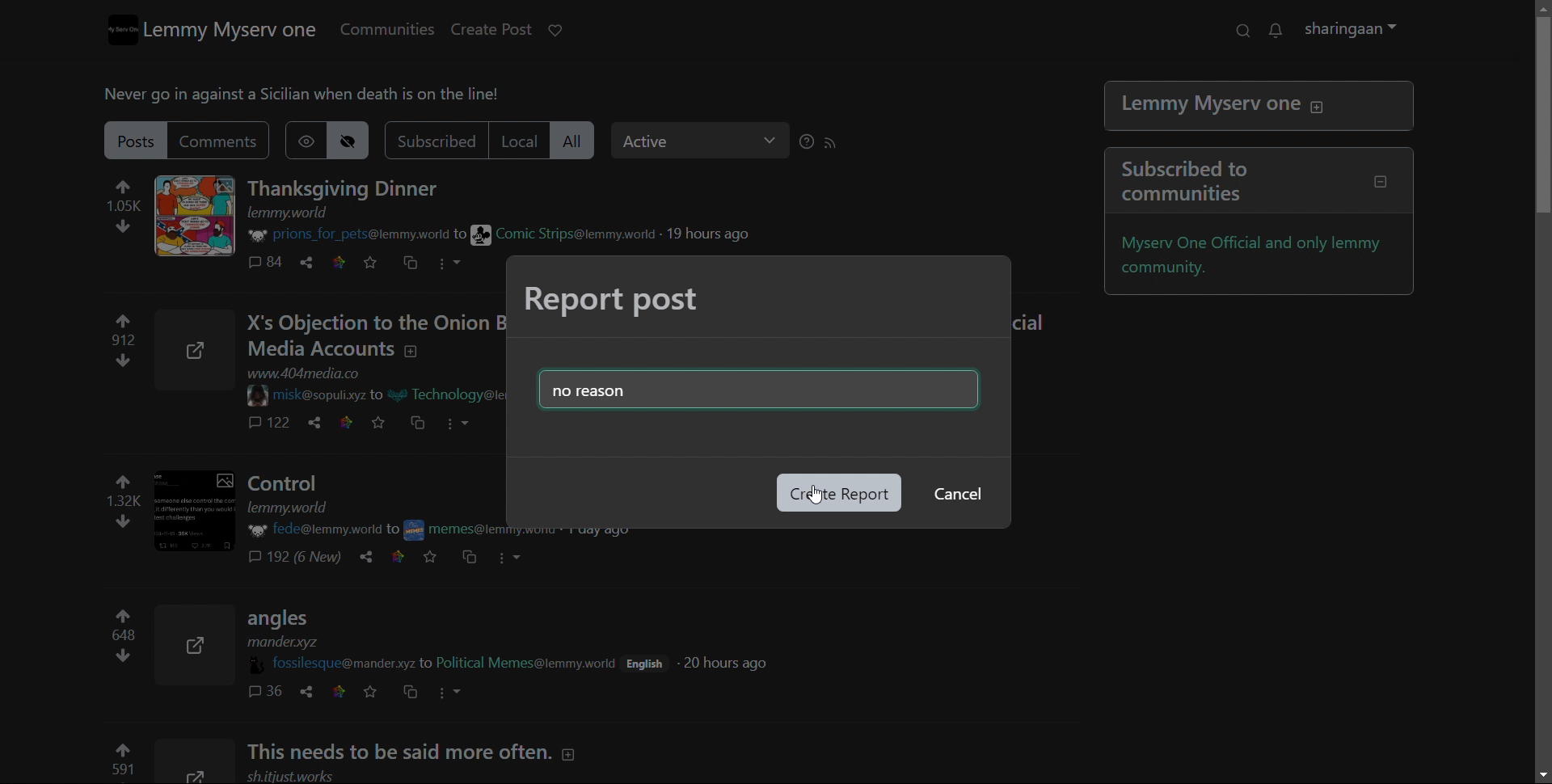 The width and height of the screenshot is (1552, 784). Describe the element at coordinates (1263, 256) in the screenshot. I see `myserv one official and only lemmy community` at that location.